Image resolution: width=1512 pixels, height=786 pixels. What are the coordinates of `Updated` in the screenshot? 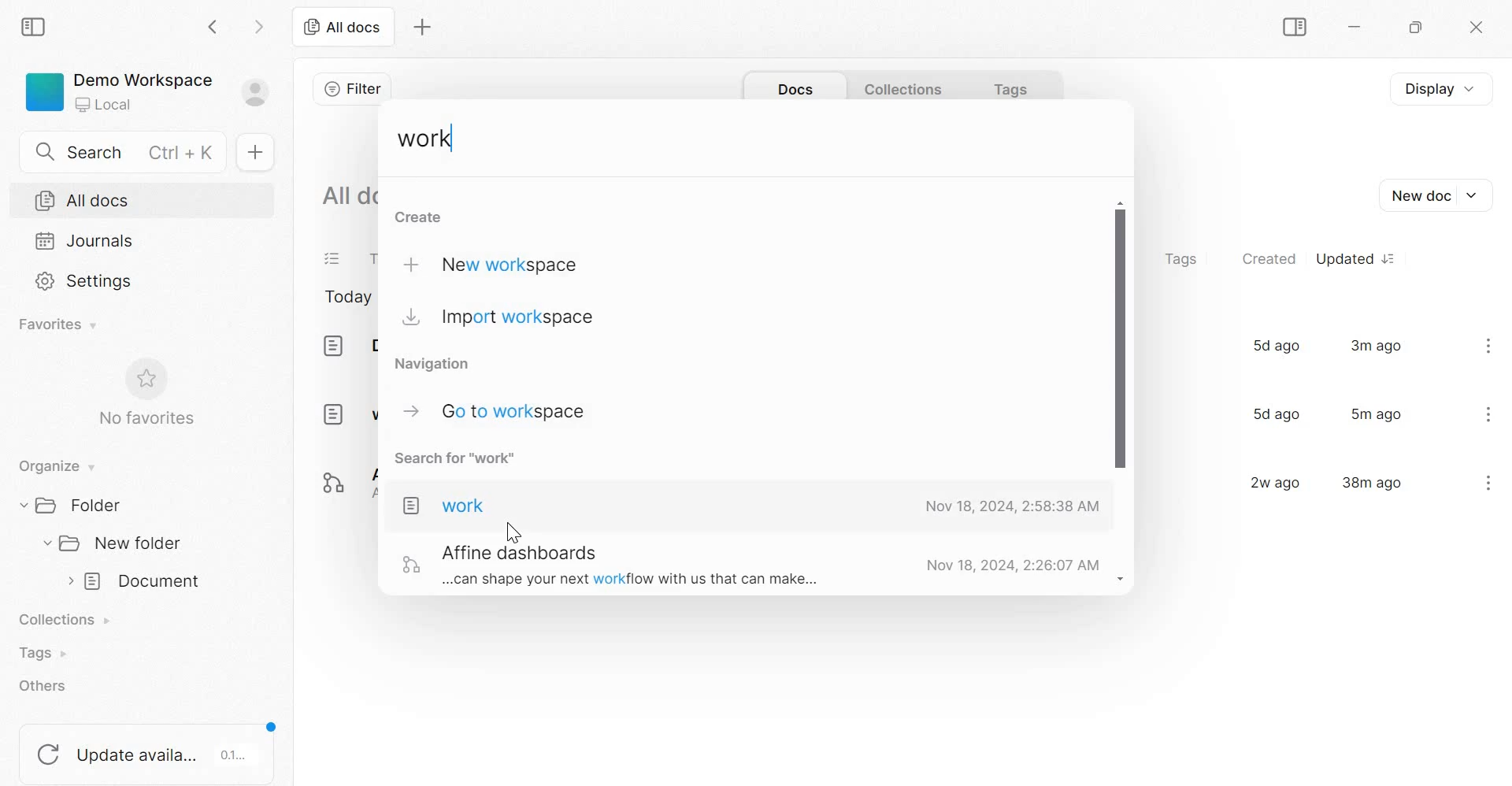 It's located at (1354, 258).